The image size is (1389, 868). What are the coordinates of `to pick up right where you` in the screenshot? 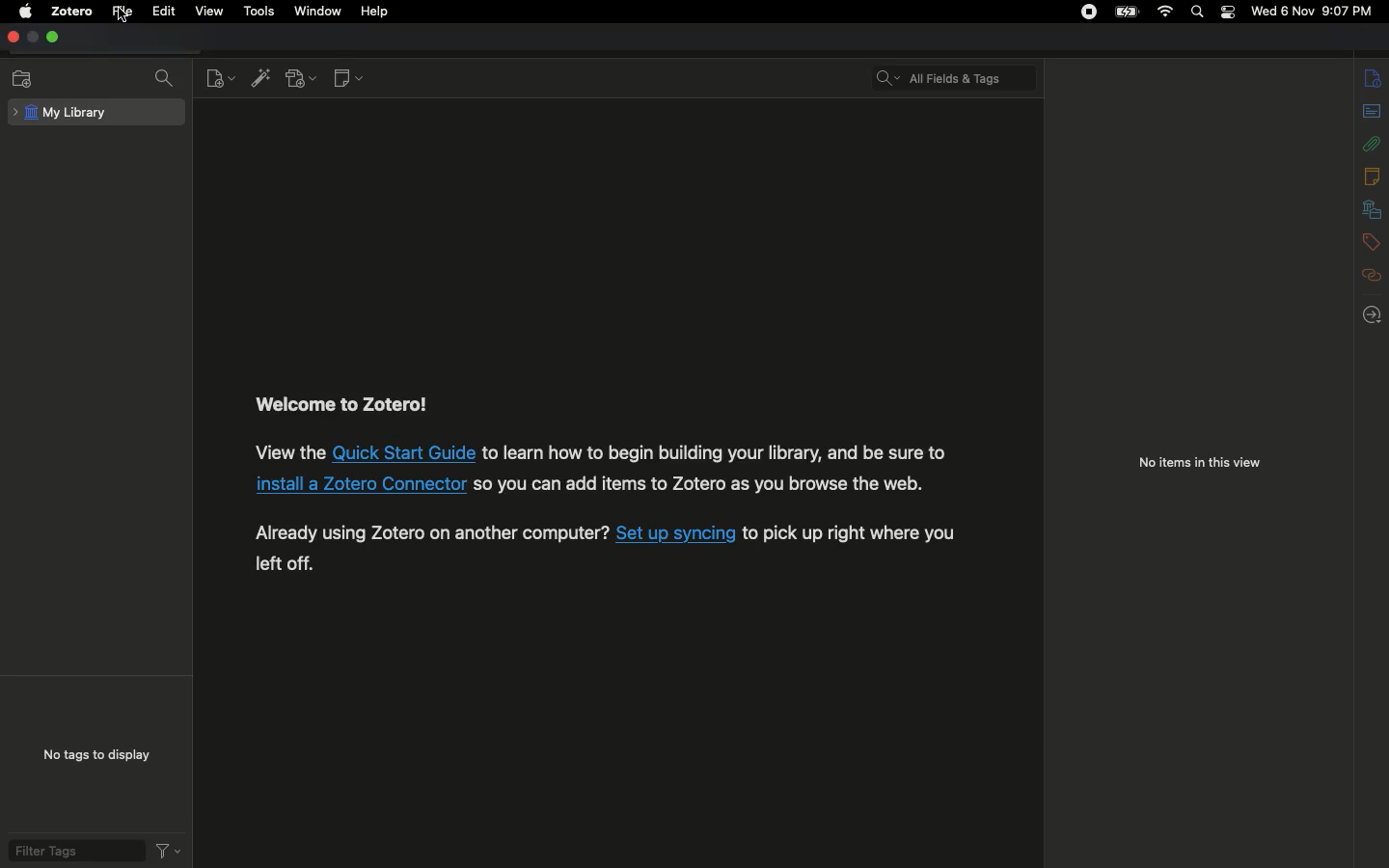 It's located at (850, 534).